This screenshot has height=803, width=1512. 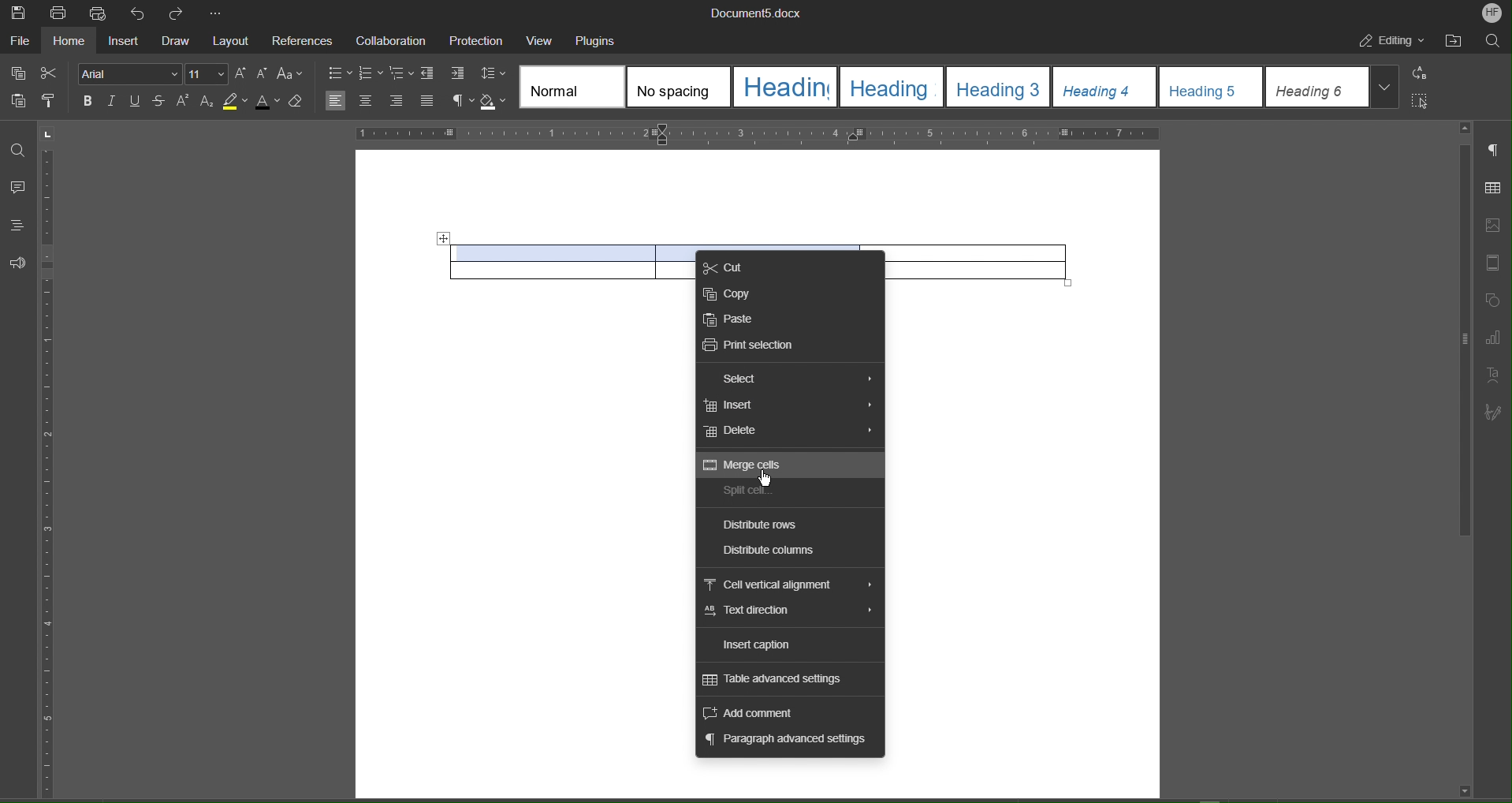 I want to click on Redo, so click(x=182, y=13).